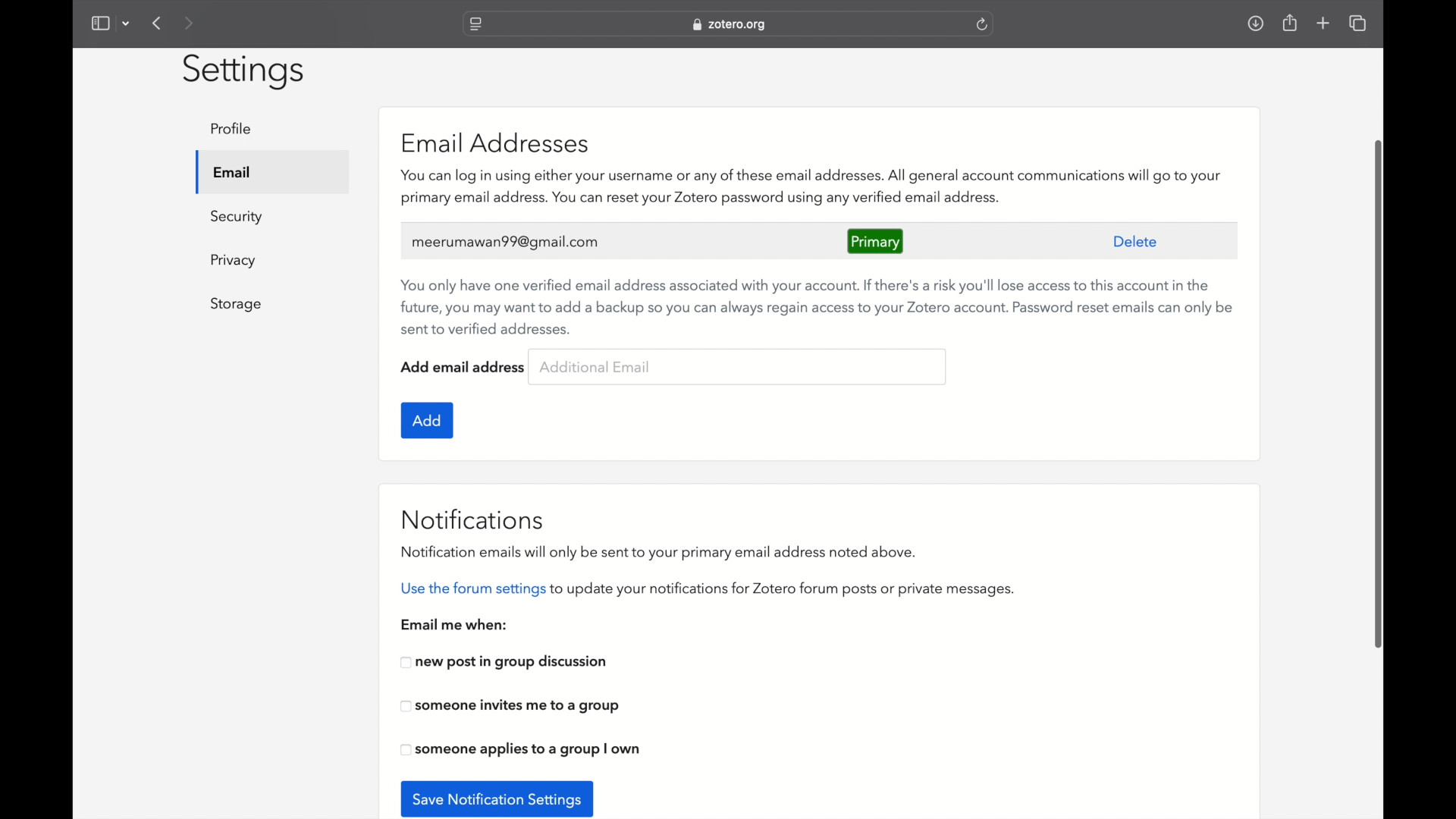 This screenshot has width=1456, height=819. Describe the element at coordinates (463, 367) in the screenshot. I see `add email address` at that location.